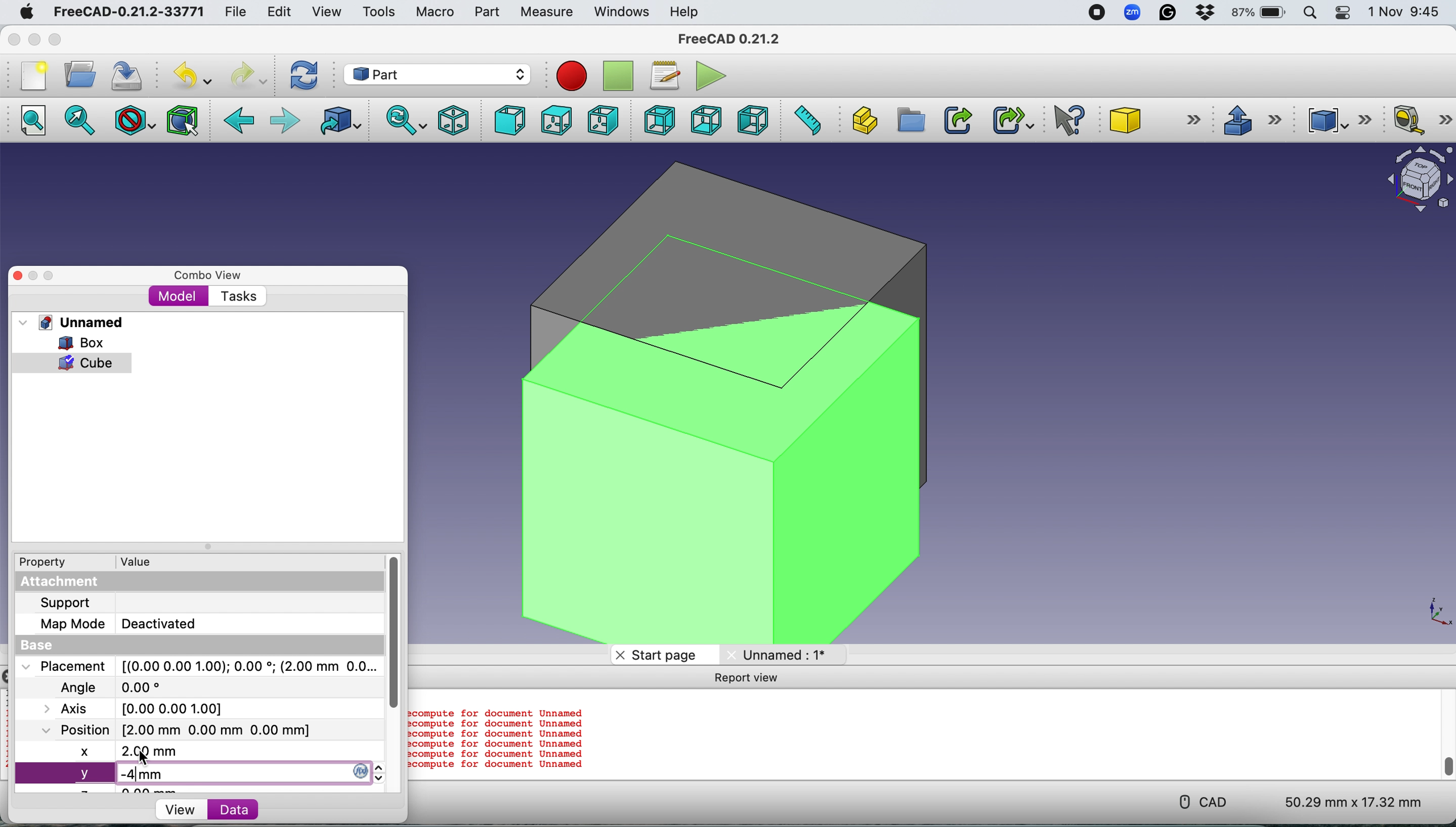 The width and height of the screenshot is (1456, 827). I want to click on 1 Nov 9:45, so click(1406, 12).